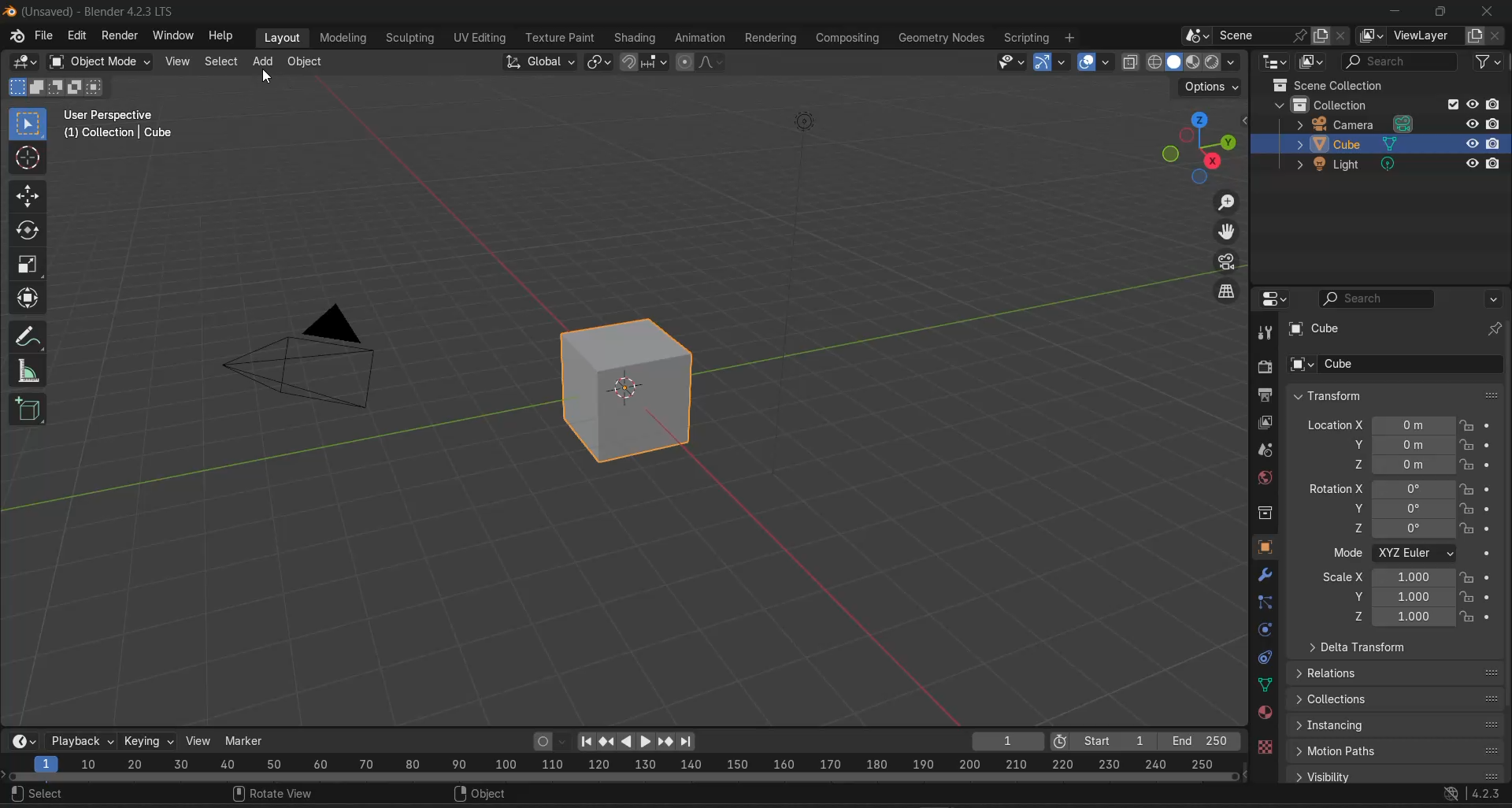 The image size is (1512, 808). What do you see at coordinates (100, 61) in the screenshot?
I see `set the object interaction mode` at bounding box center [100, 61].